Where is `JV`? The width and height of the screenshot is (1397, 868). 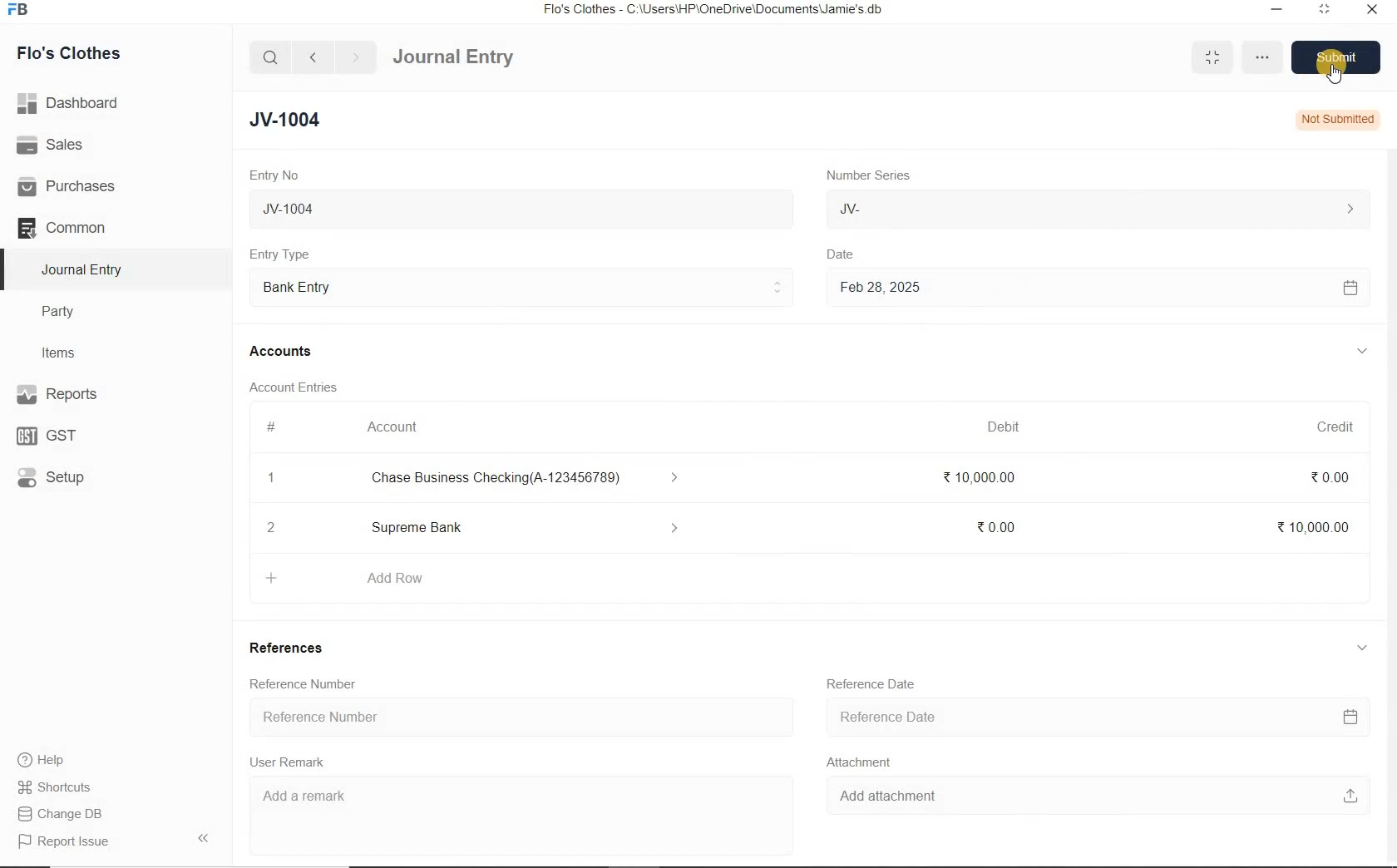
JV is located at coordinates (1097, 209).